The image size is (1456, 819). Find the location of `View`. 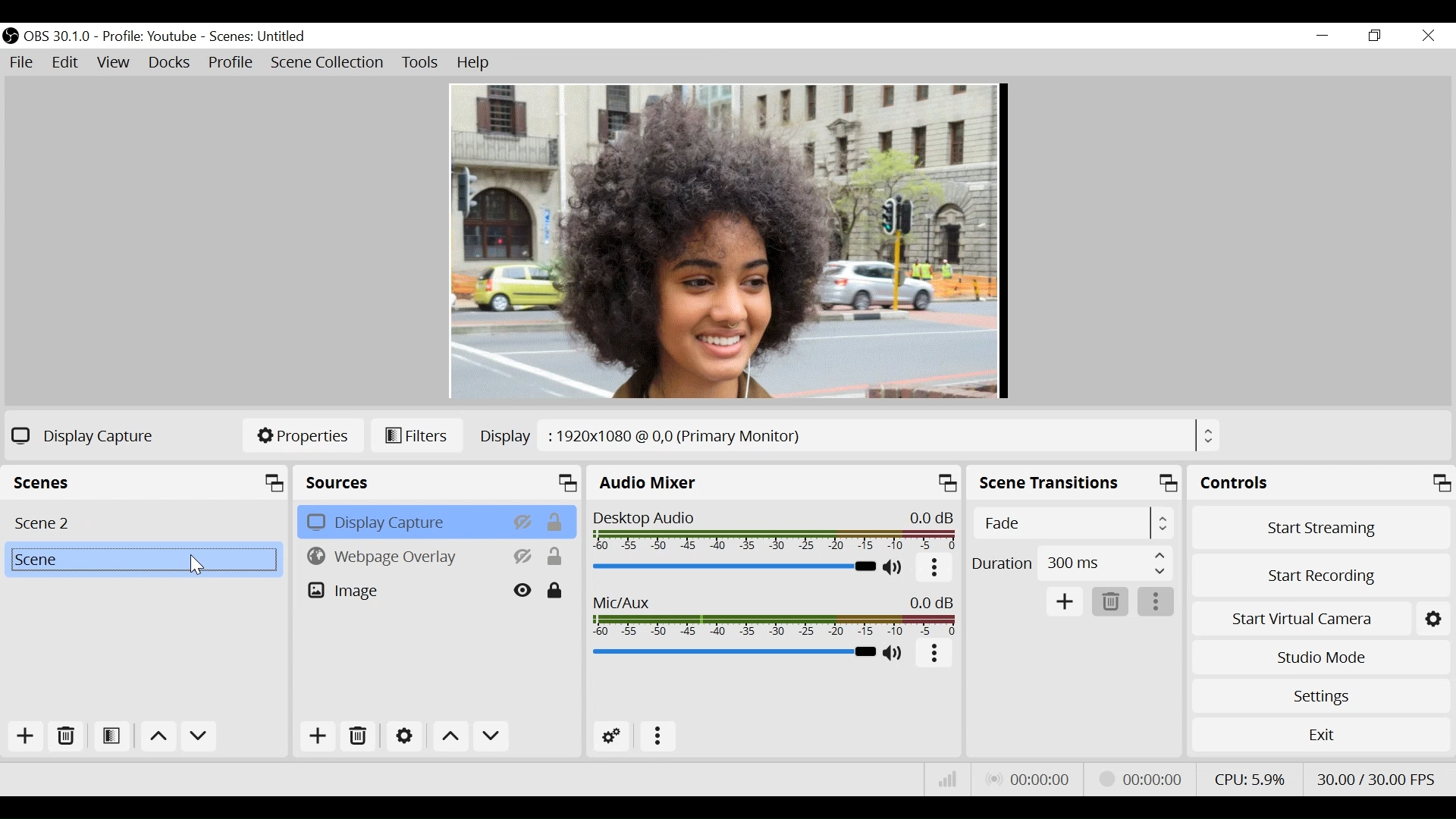

View is located at coordinates (115, 63).